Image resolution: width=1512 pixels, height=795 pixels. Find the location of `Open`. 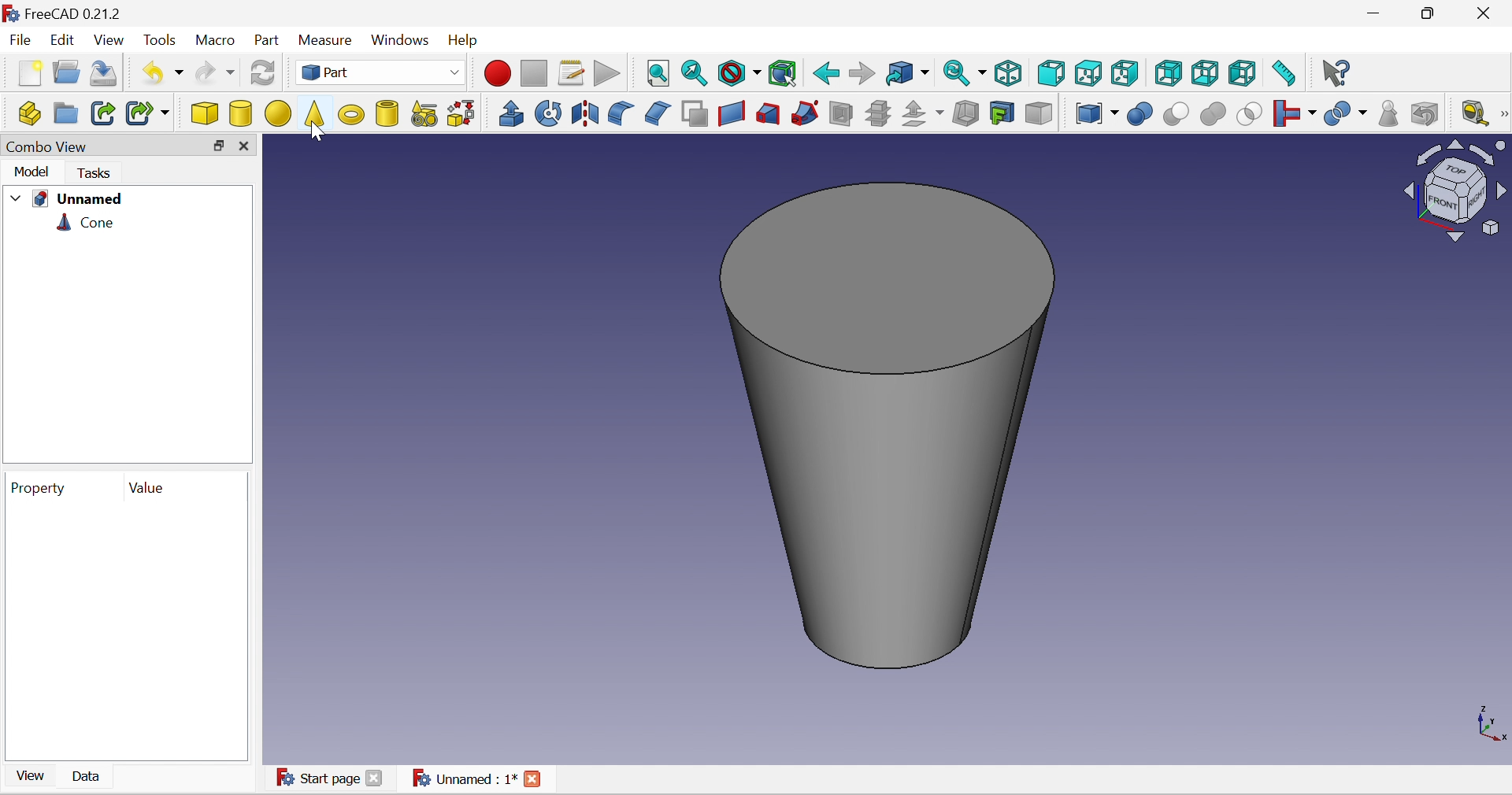

Open is located at coordinates (69, 72).